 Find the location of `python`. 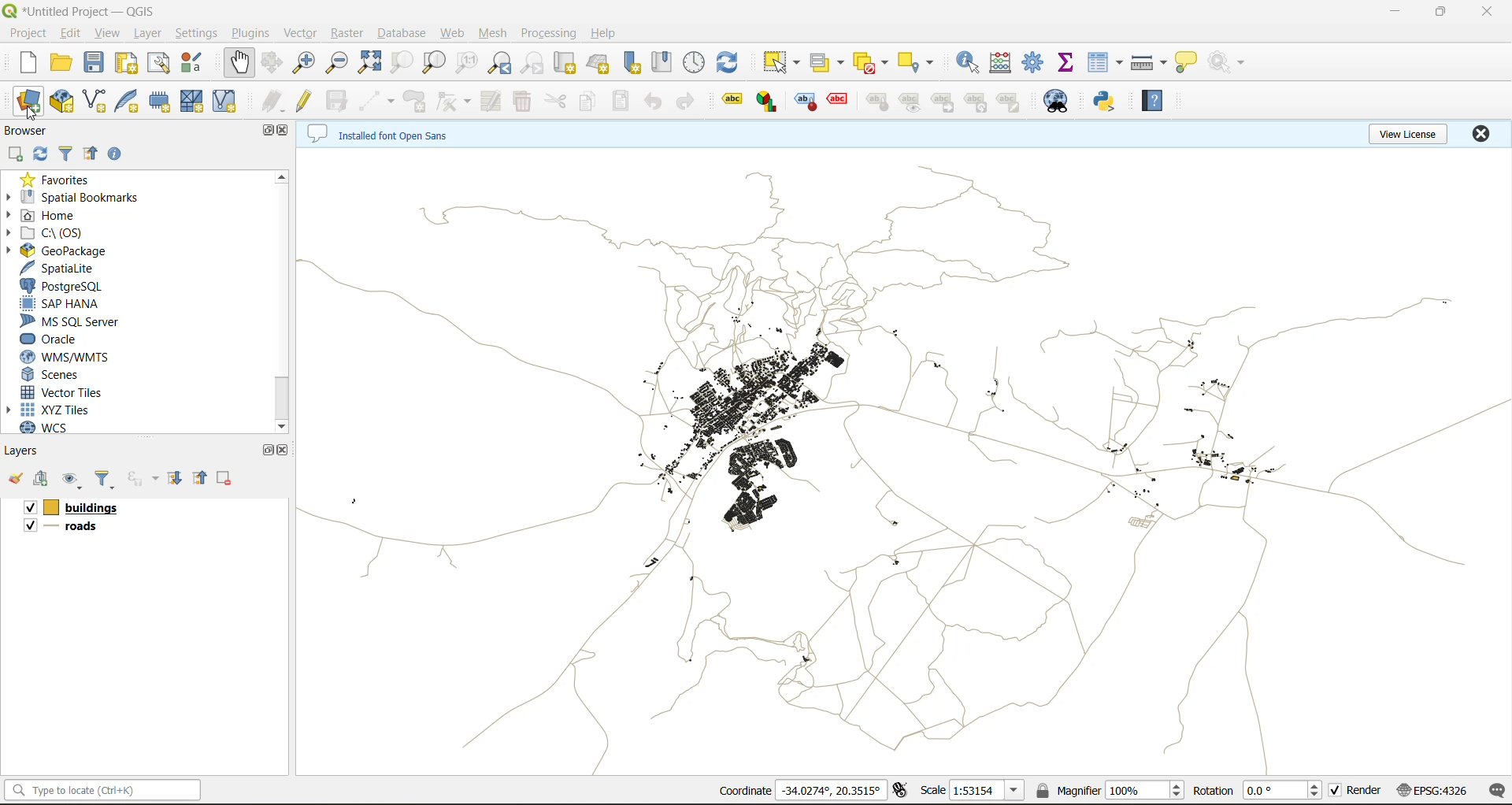

python is located at coordinates (1105, 101).